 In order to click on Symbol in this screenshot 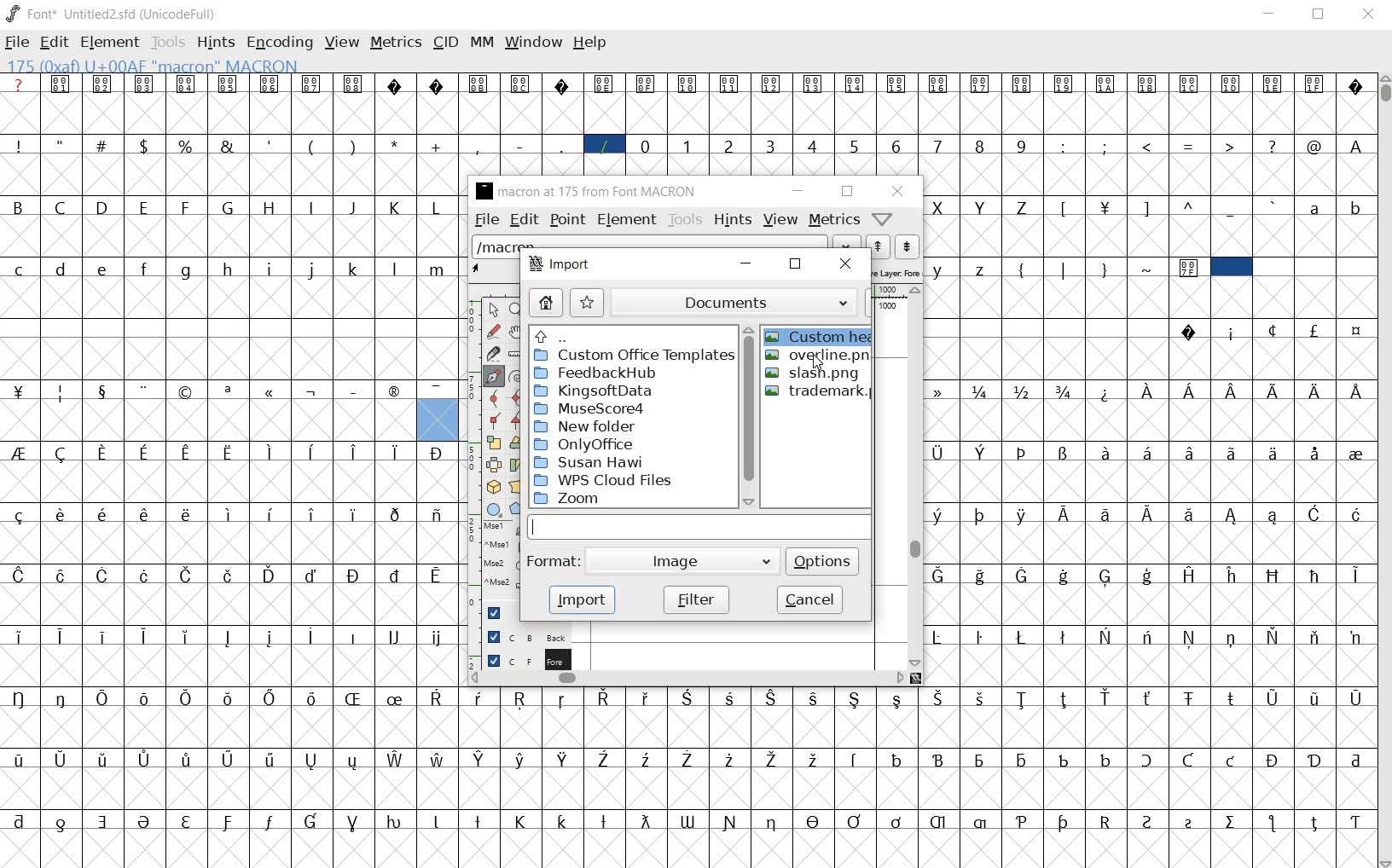, I will do `click(1190, 451)`.